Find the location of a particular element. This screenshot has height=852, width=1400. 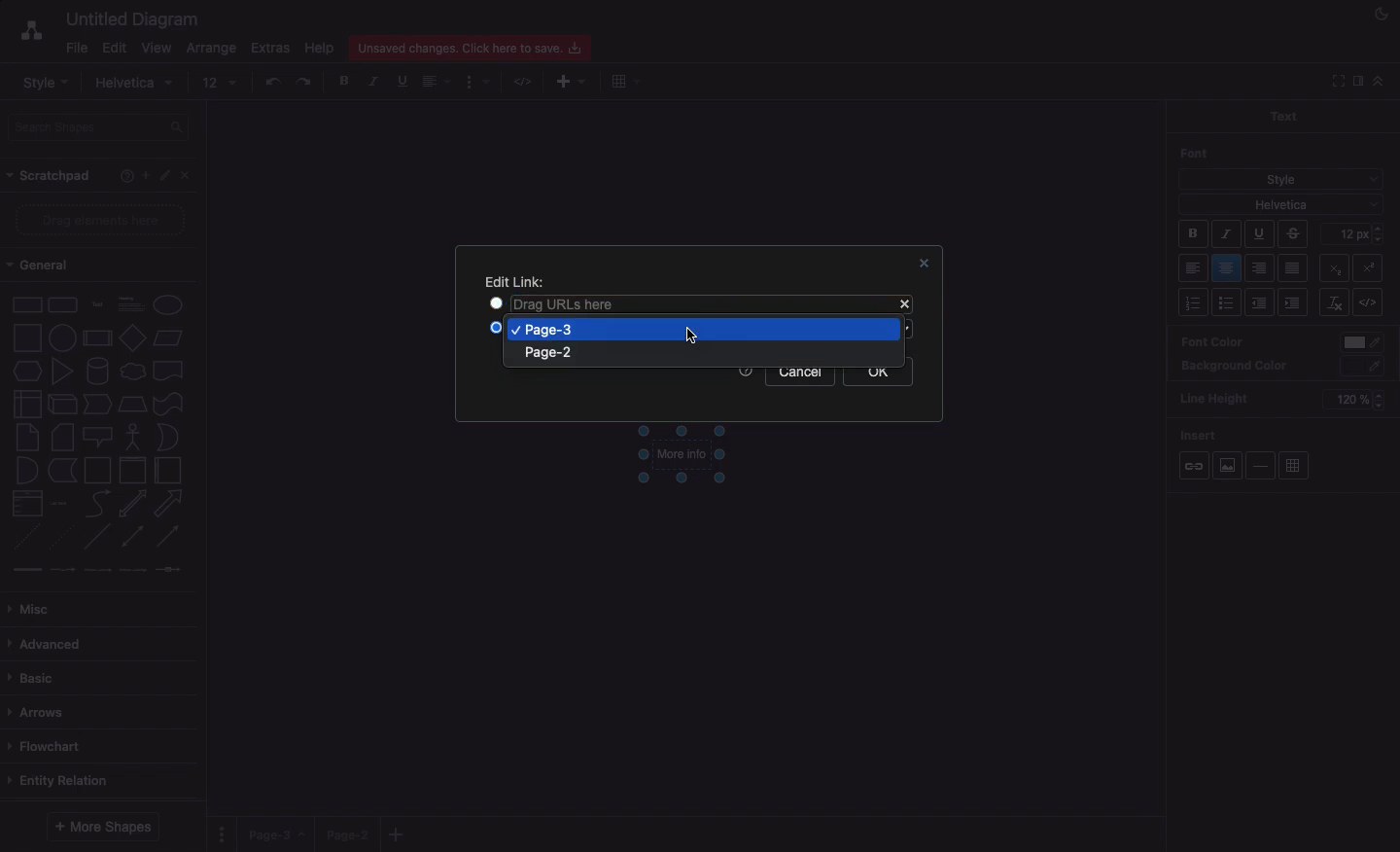

circle is located at coordinates (62, 337).